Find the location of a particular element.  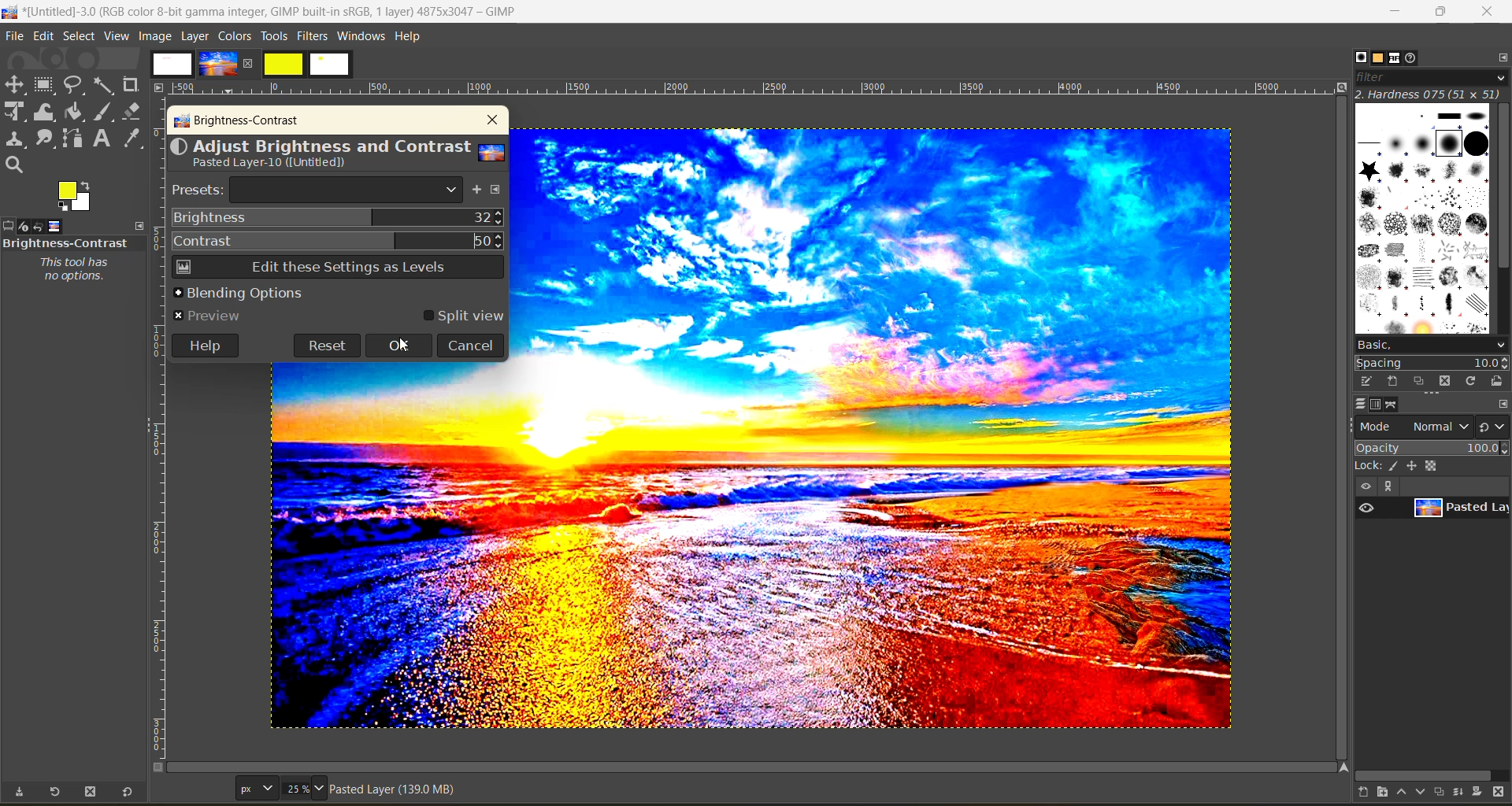

lock pixels, position and size, alpha is located at coordinates (1431, 465).